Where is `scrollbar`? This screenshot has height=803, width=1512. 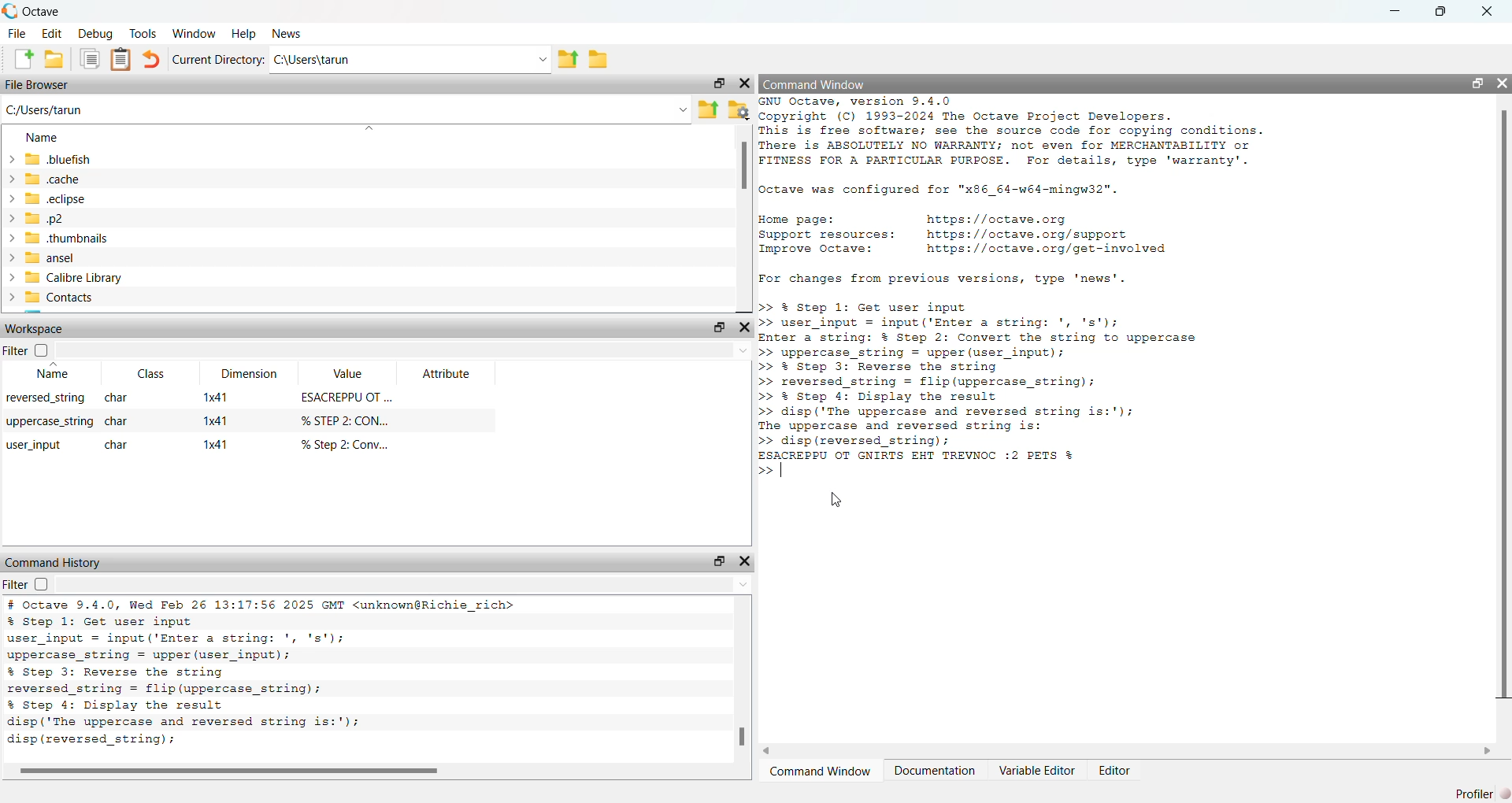
scrollbar is located at coordinates (744, 168).